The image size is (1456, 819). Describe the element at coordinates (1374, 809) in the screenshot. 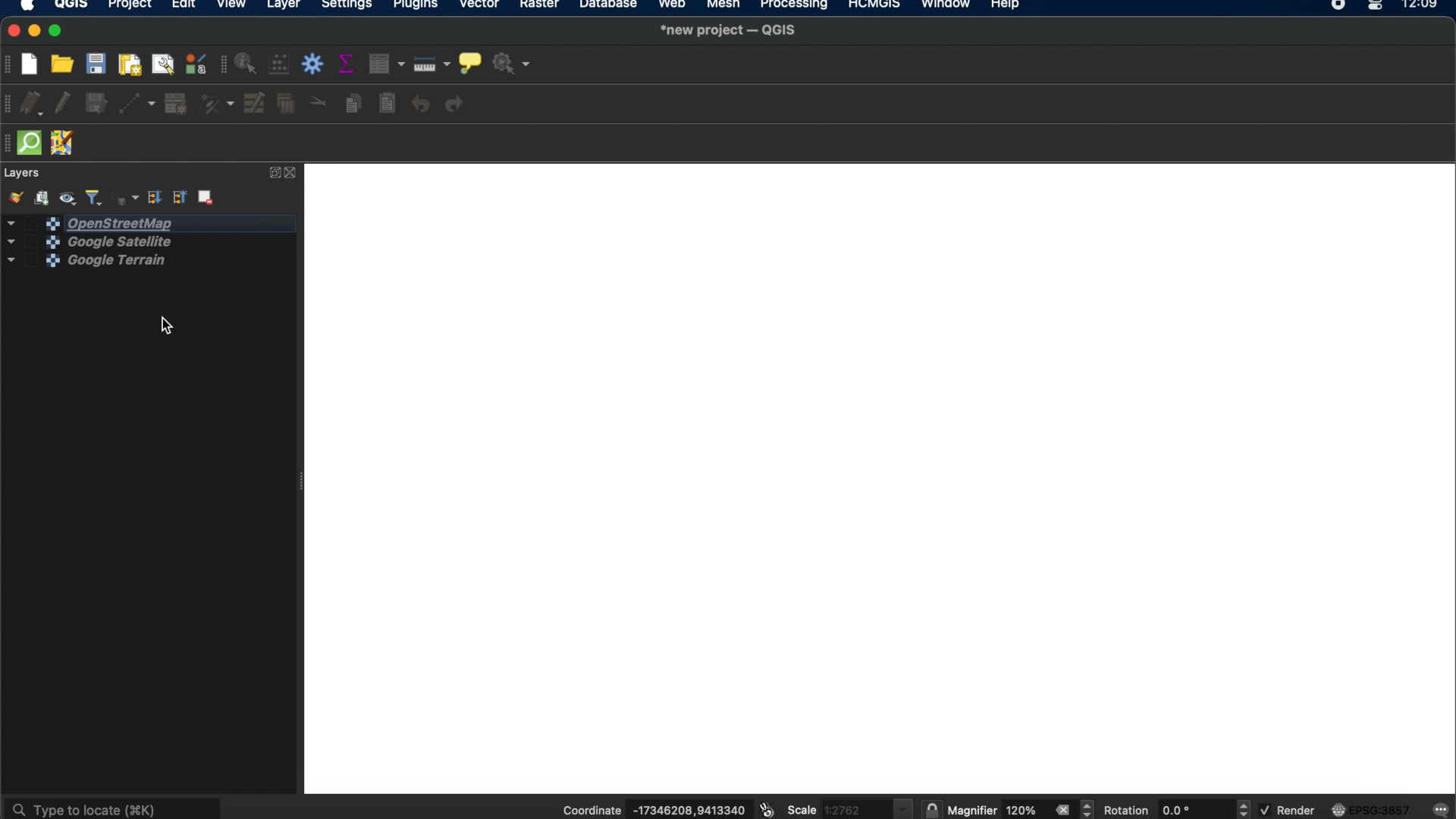

I see `EPSG:3857` at that location.